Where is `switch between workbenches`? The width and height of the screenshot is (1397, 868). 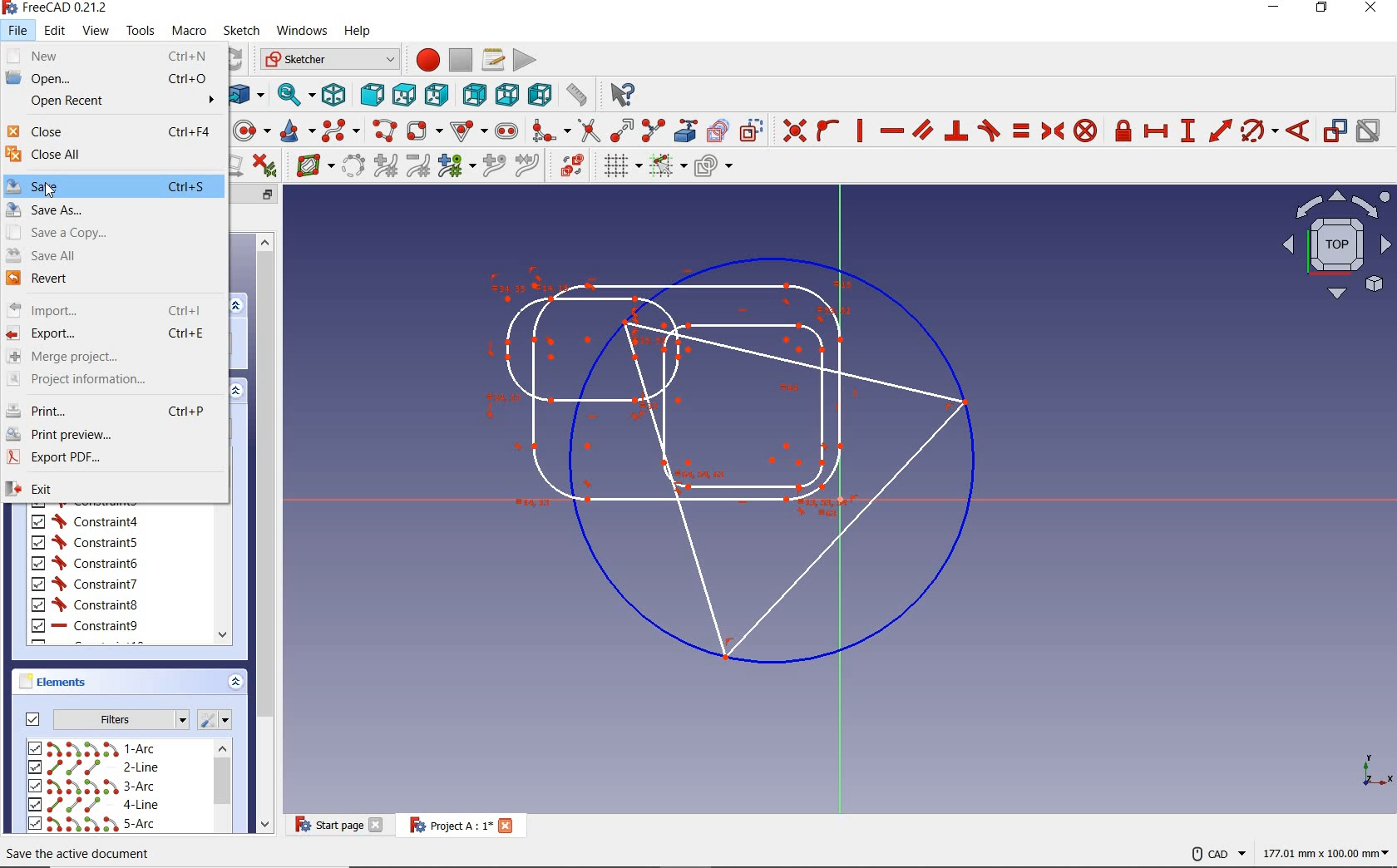
switch between workbenches is located at coordinates (324, 60).